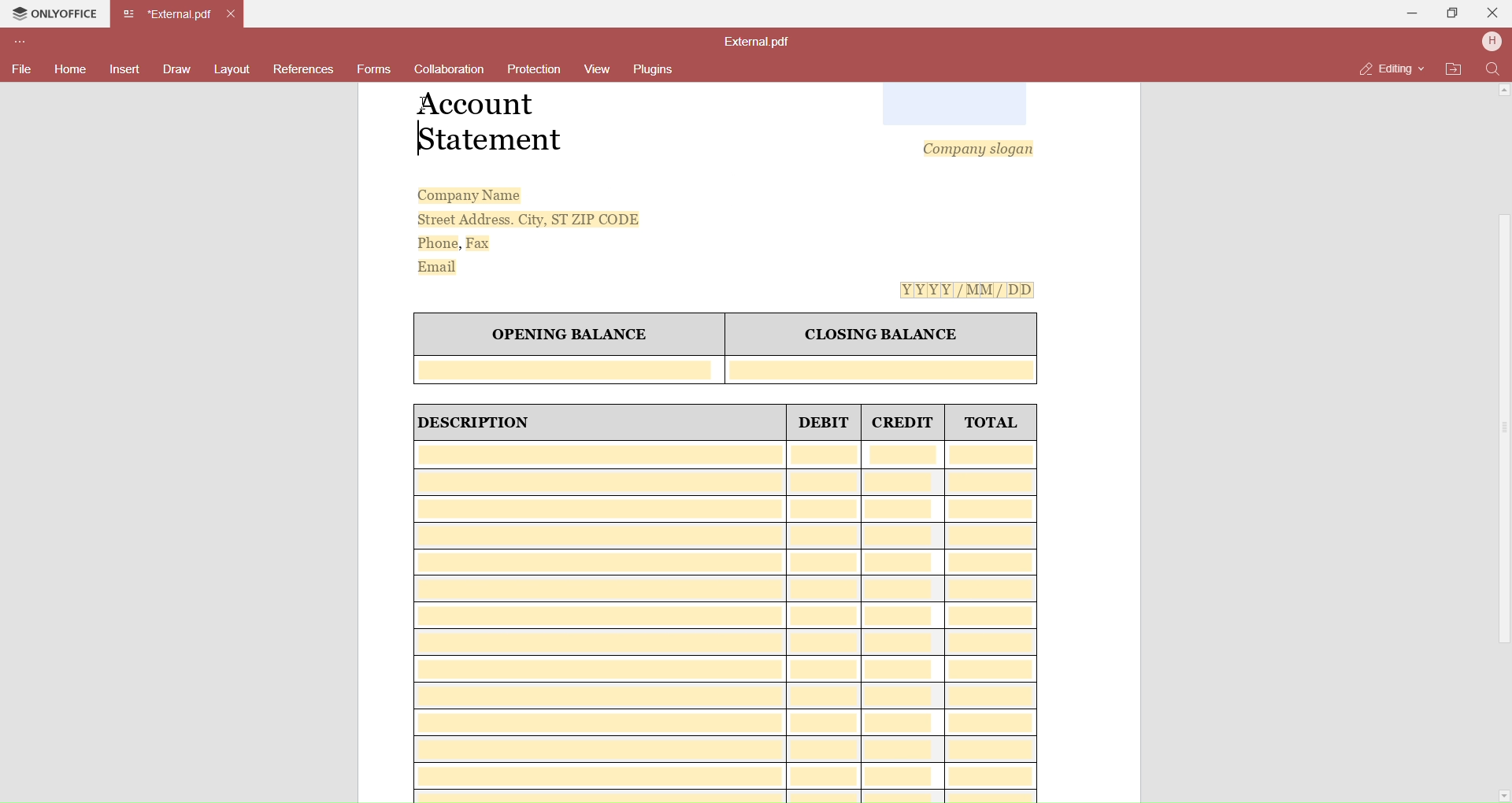 The width and height of the screenshot is (1512, 803). Describe the element at coordinates (529, 219) in the screenshot. I see `Street Address. City, ST ZIP CODE` at that location.